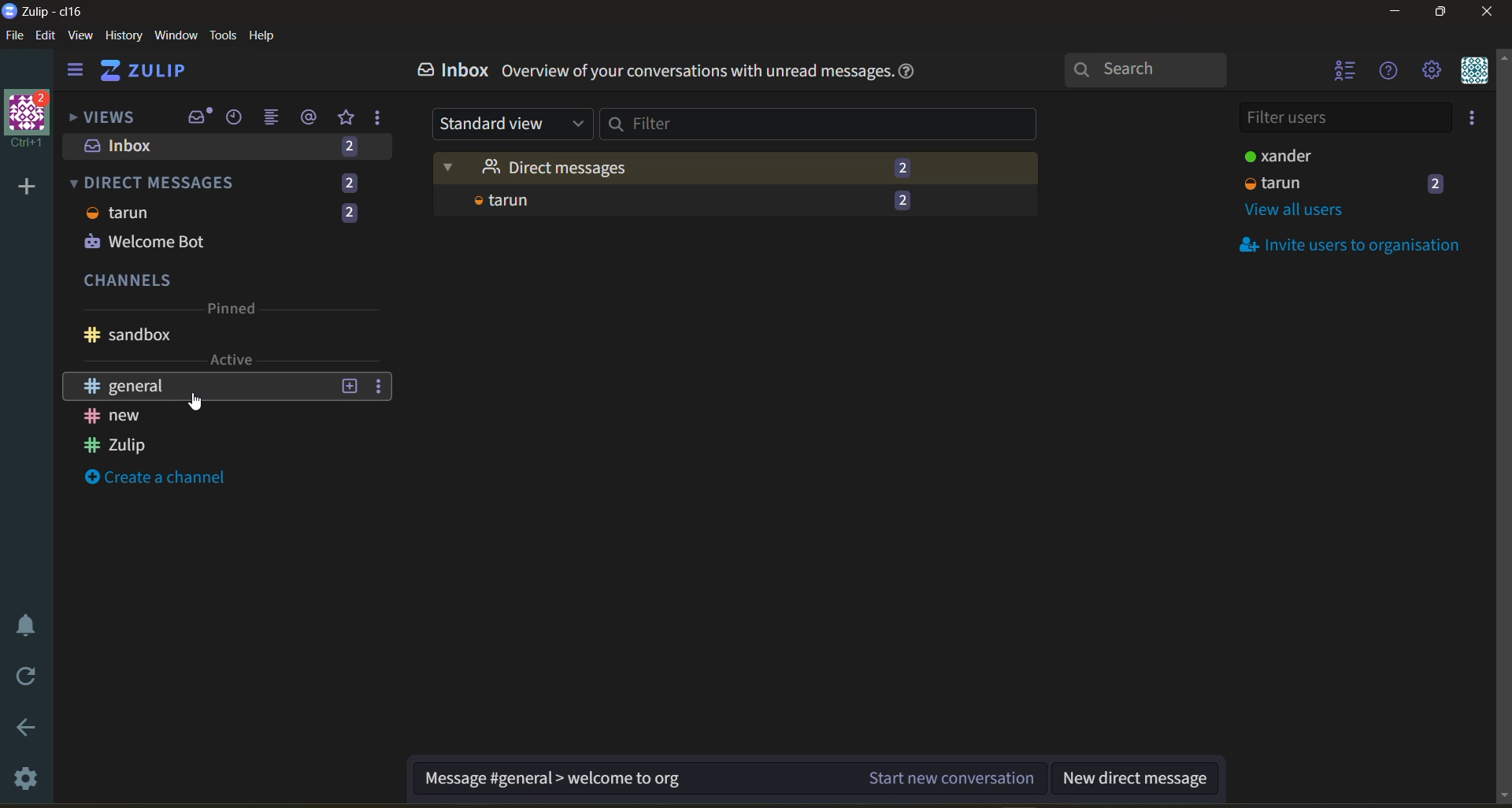 Image resolution: width=1512 pixels, height=808 pixels. Describe the element at coordinates (348, 387) in the screenshot. I see `new topic` at that location.